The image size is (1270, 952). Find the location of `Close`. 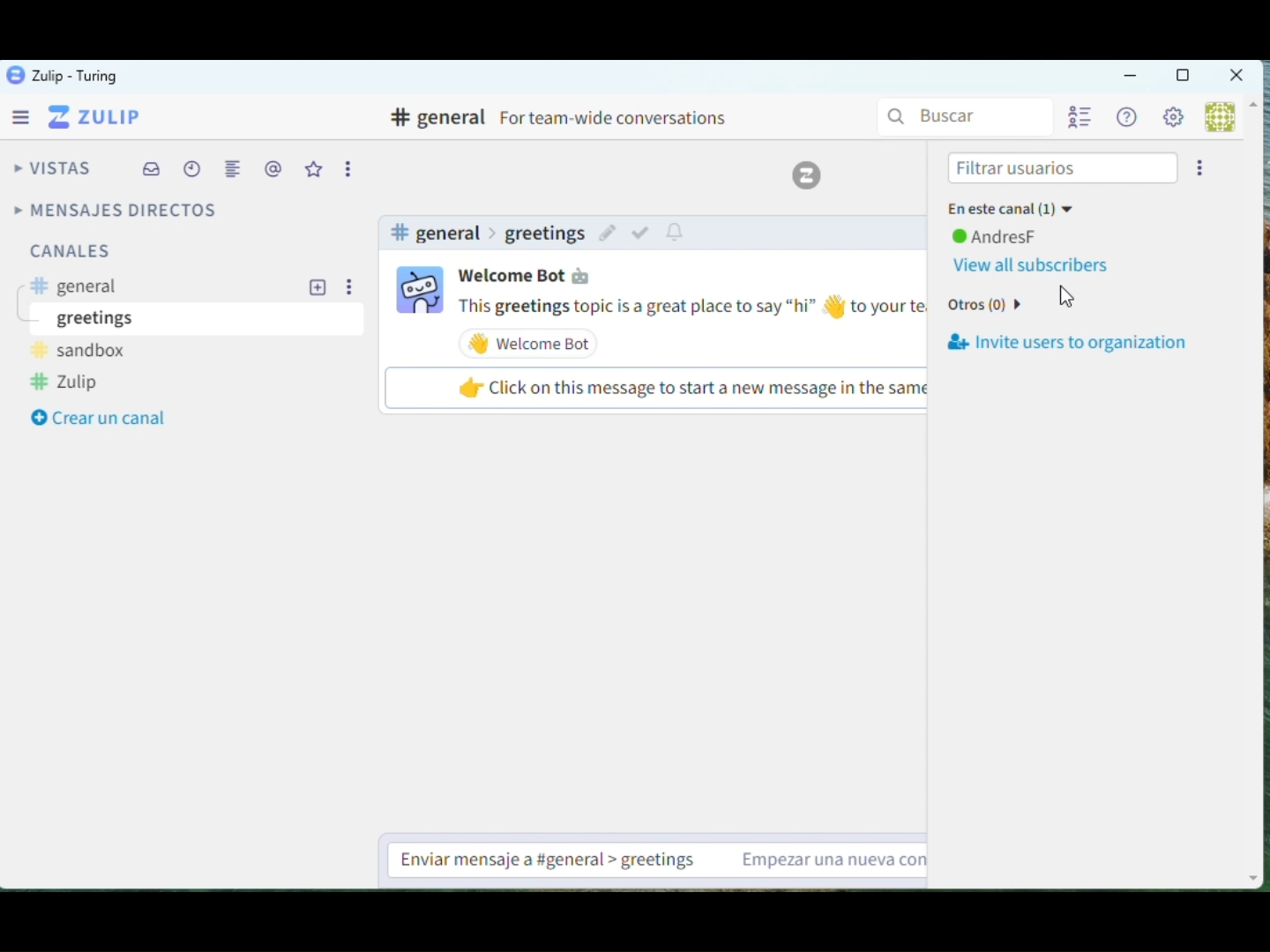

Close is located at coordinates (1236, 73).